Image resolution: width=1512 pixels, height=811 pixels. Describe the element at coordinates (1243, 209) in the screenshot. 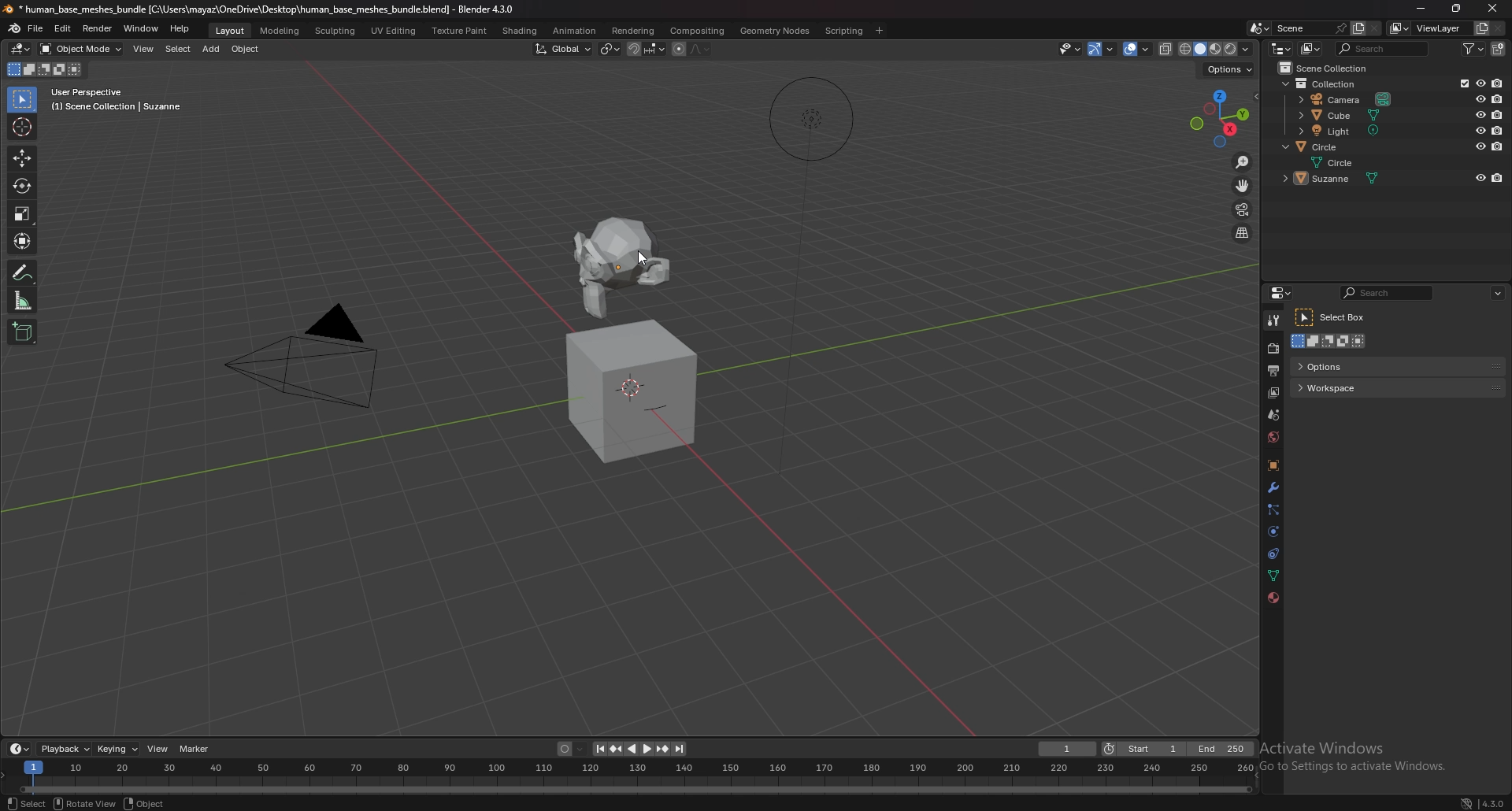

I see `camera view` at that location.